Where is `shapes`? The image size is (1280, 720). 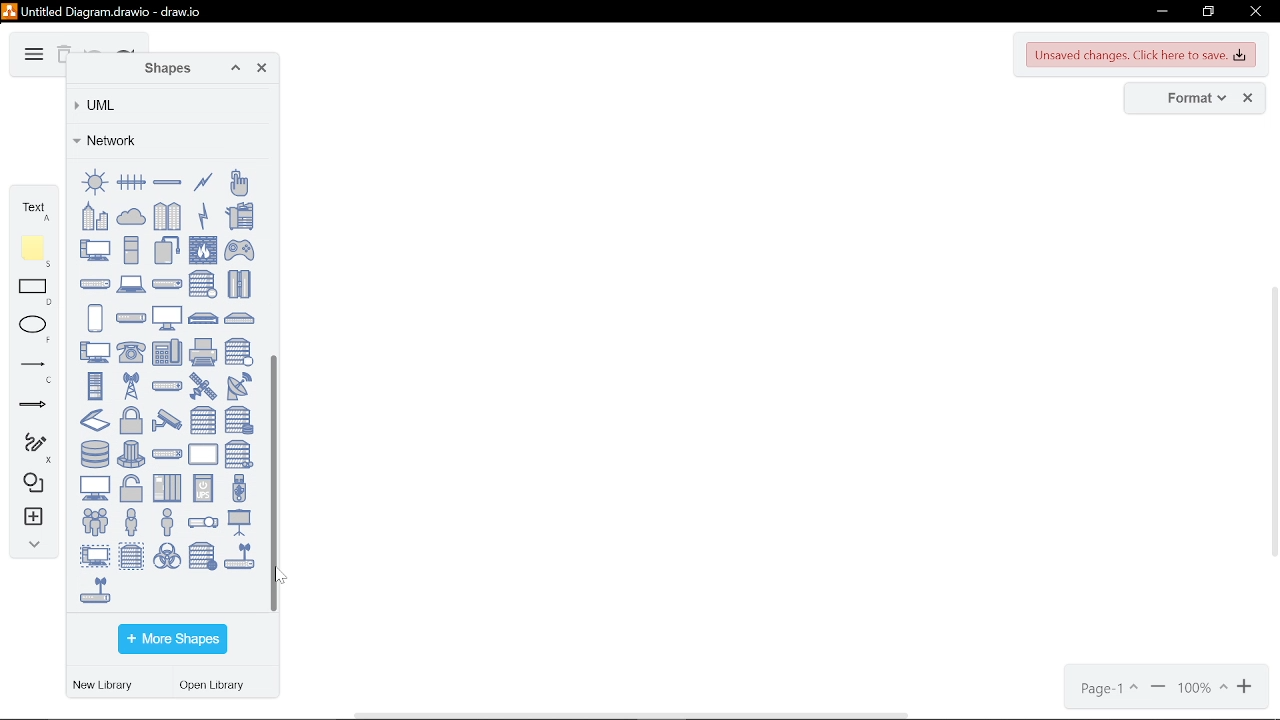 shapes is located at coordinates (162, 69).